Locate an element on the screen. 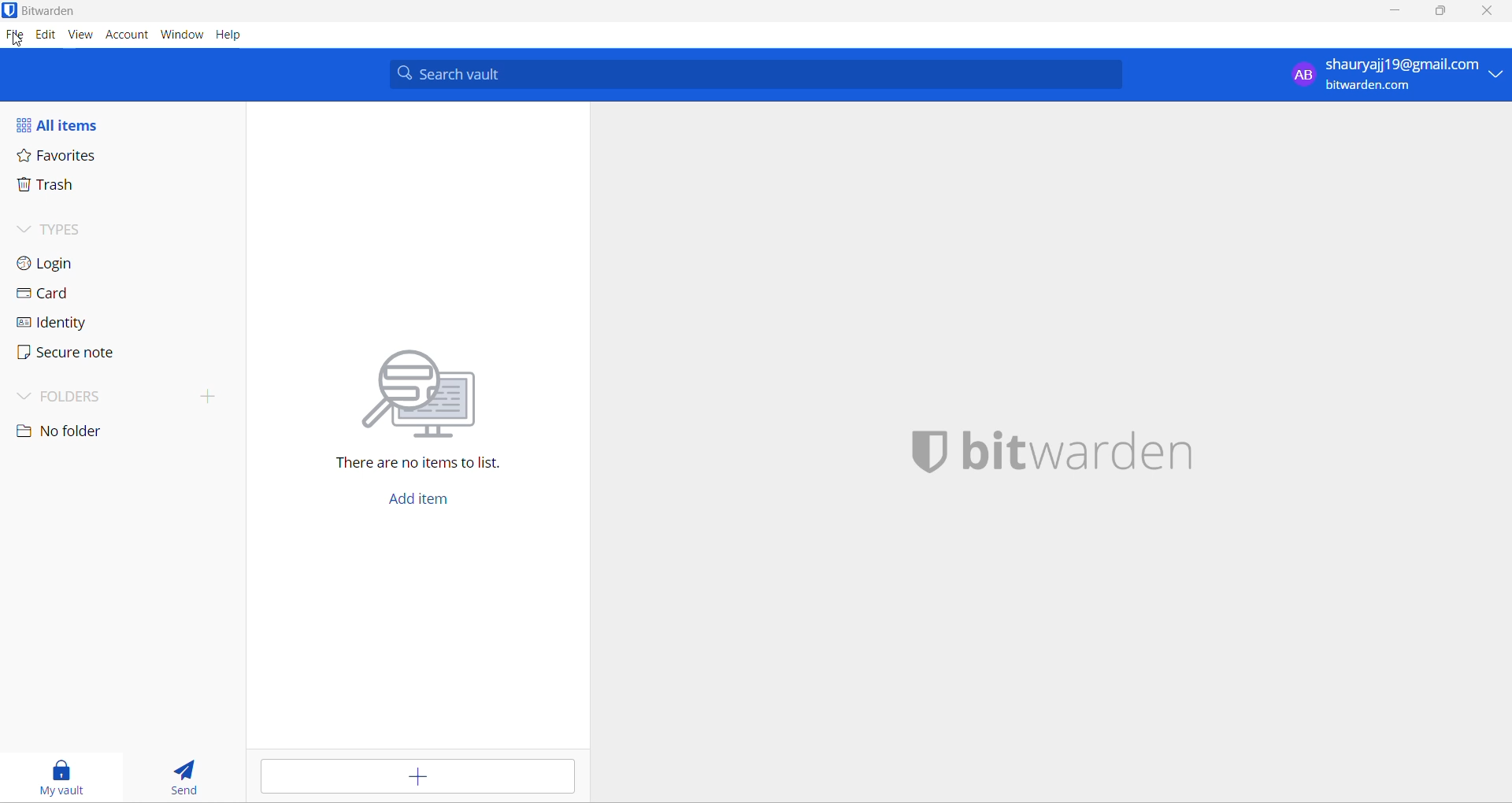  secure note is located at coordinates (69, 354).